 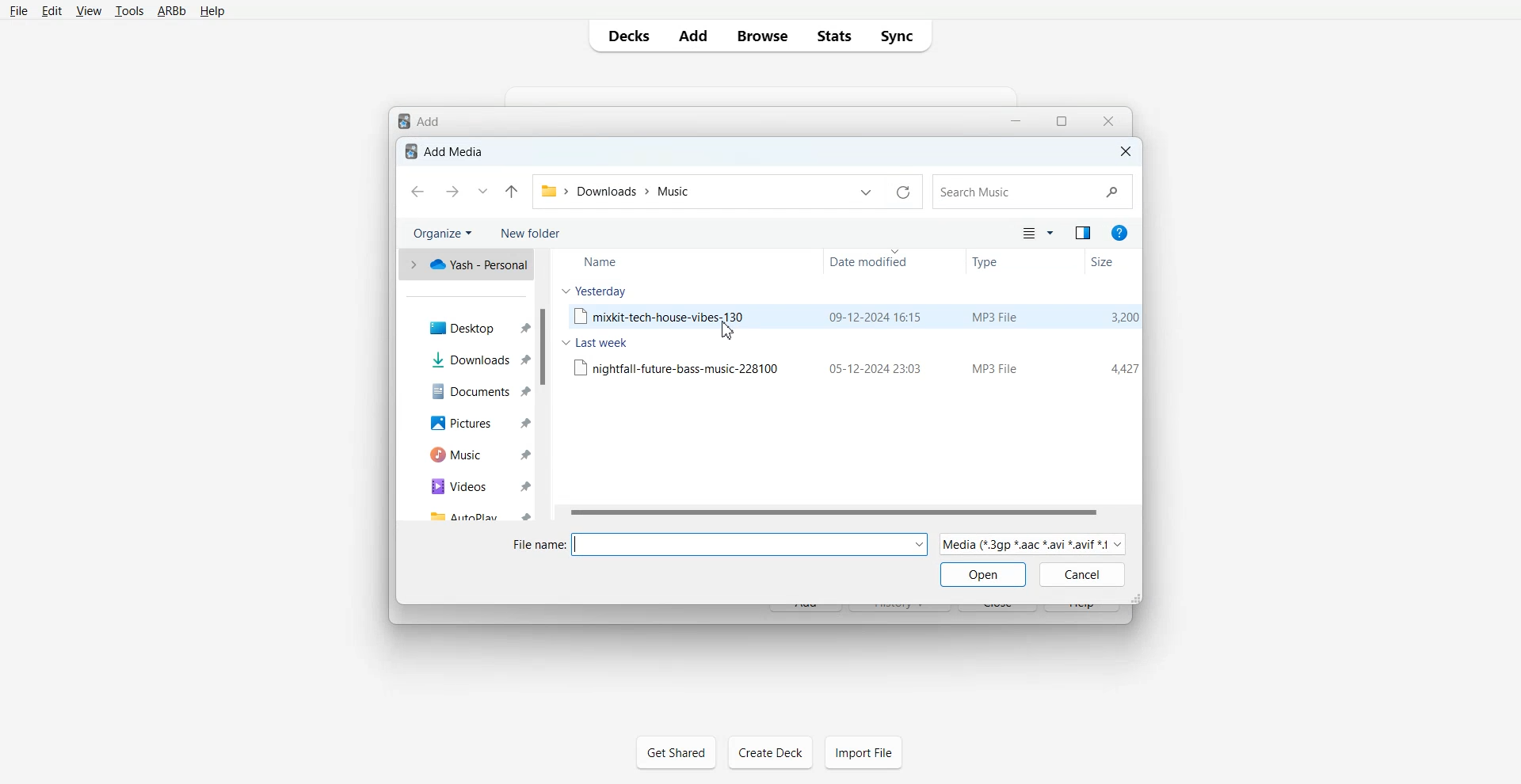 What do you see at coordinates (761, 36) in the screenshot?
I see `Browse` at bounding box center [761, 36].